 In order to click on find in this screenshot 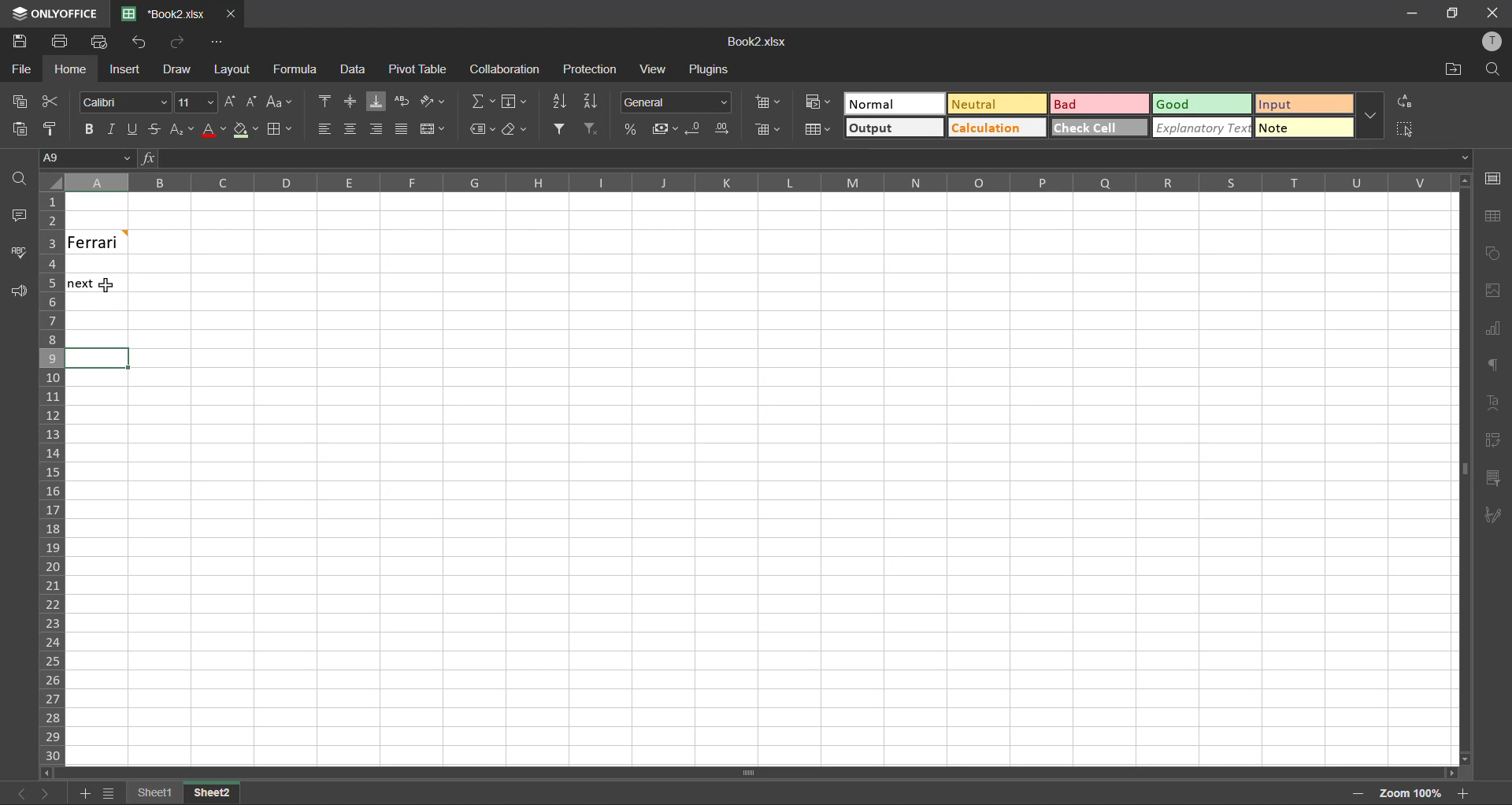, I will do `click(18, 184)`.